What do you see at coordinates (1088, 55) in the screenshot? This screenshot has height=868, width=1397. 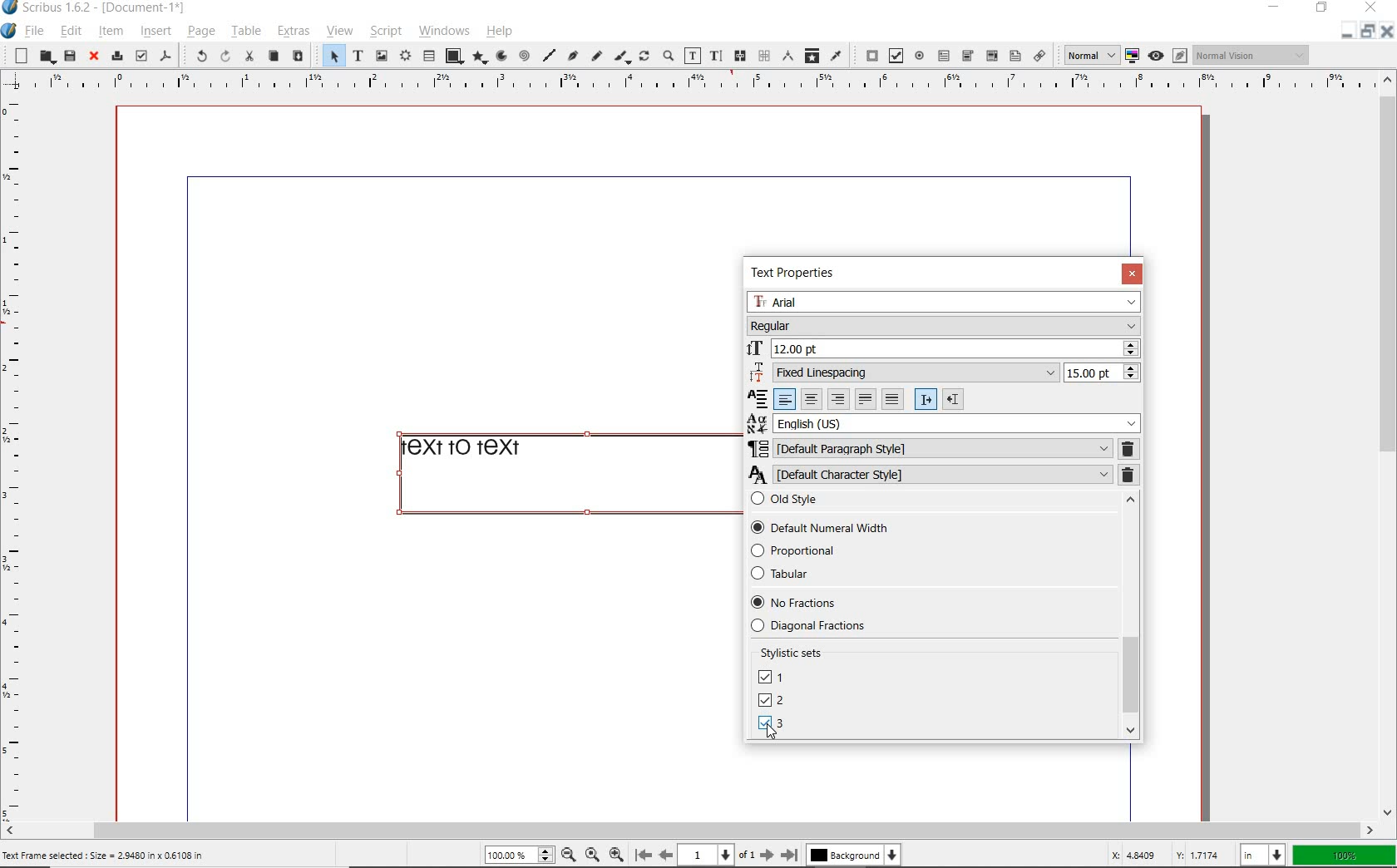 I see `normal` at bounding box center [1088, 55].